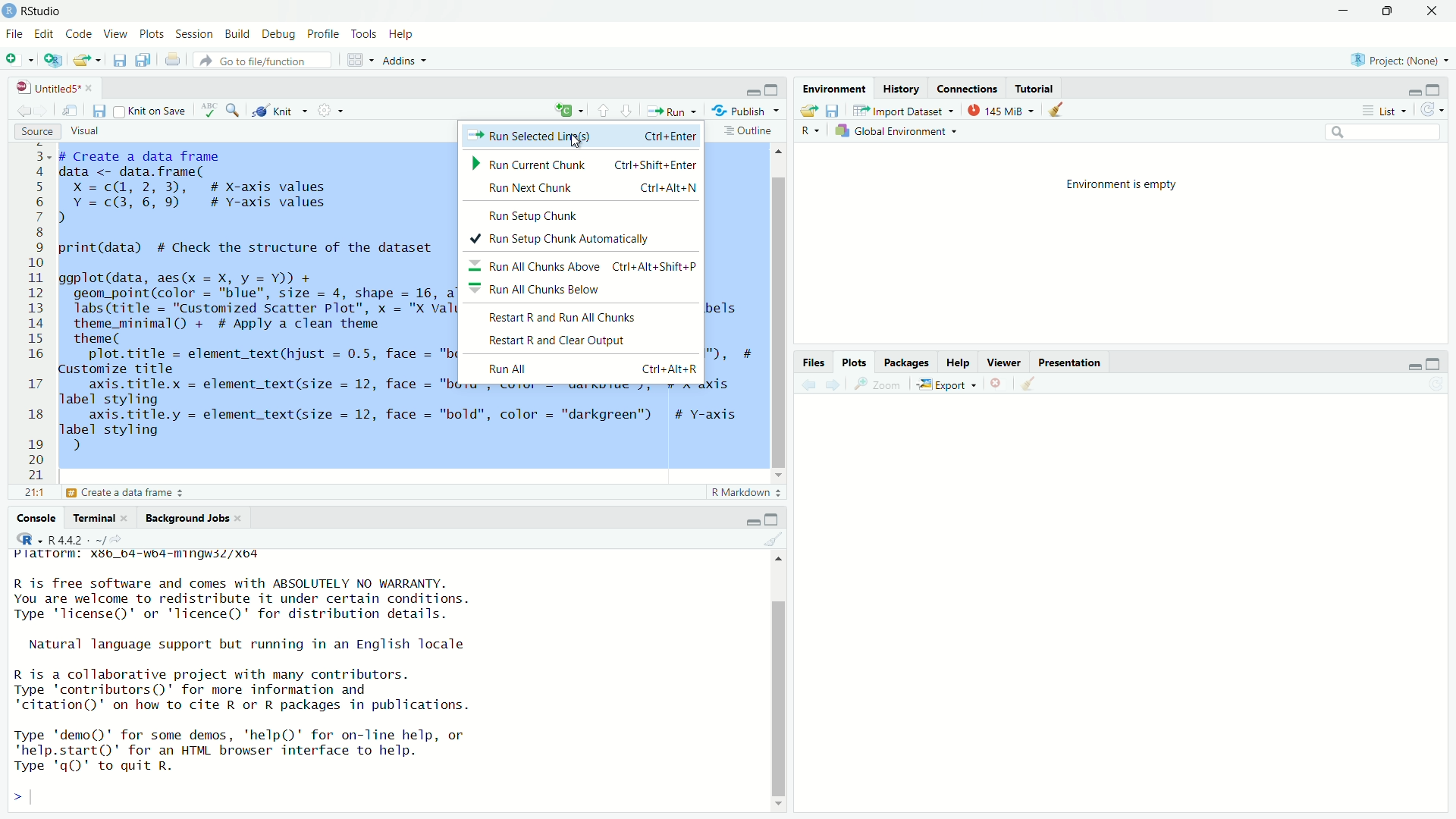  I want to click on Zoom, so click(877, 385).